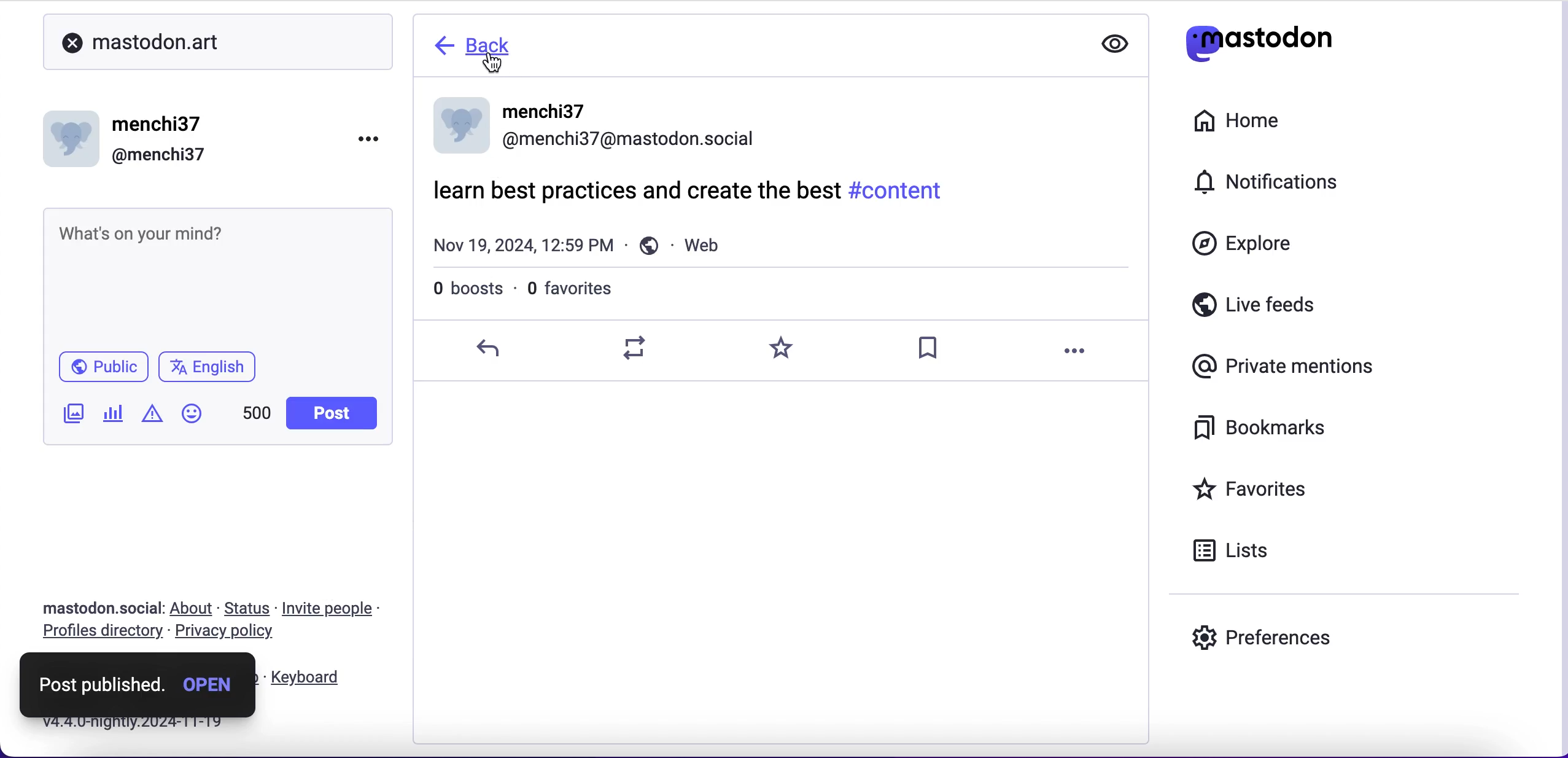 The height and width of the screenshot is (758, 1568). I want to click on explore, so click(1246, 249).